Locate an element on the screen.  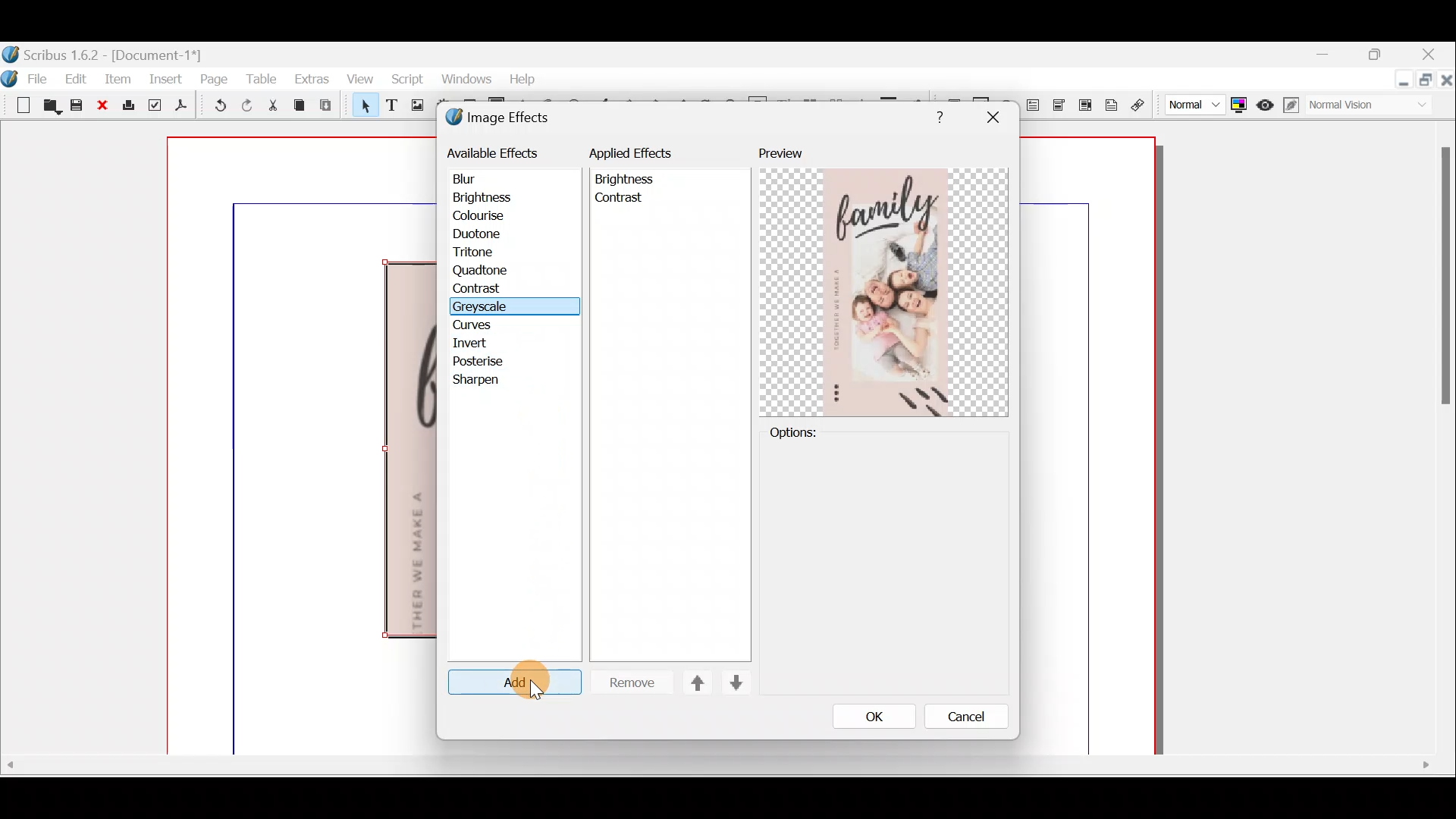
Close is located at coordinates (1446, 81).